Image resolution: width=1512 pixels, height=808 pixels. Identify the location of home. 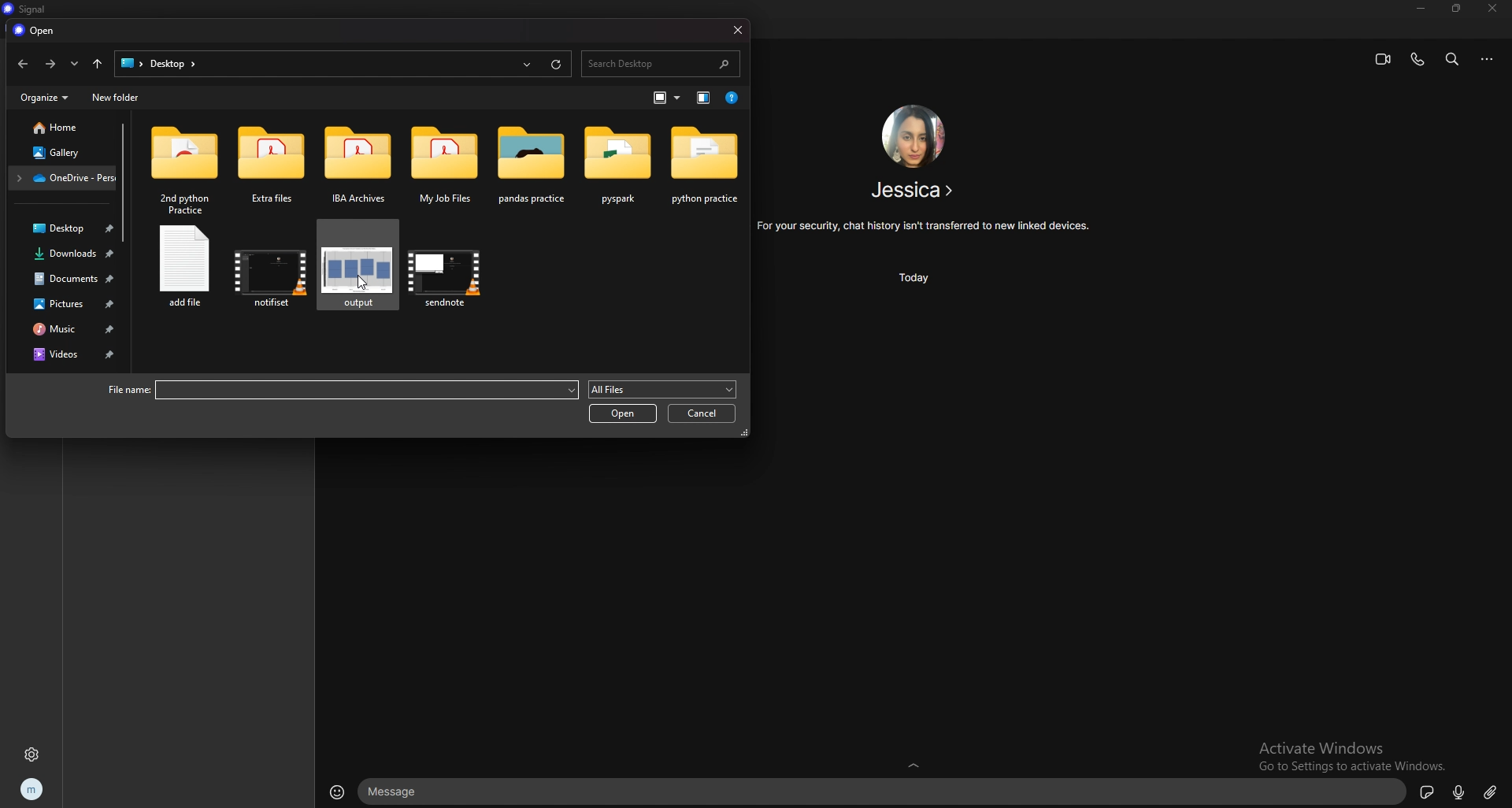
(64, 128).